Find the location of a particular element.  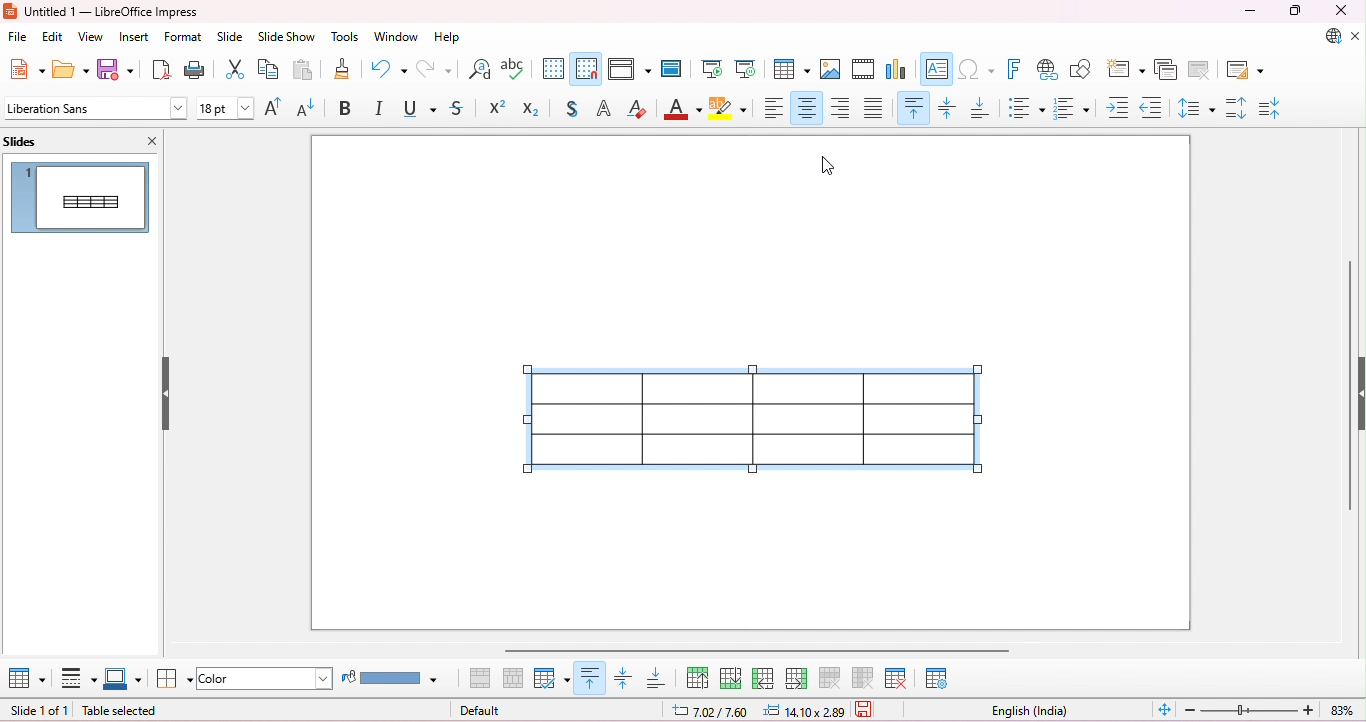

new is located at coordinates (27, 69).